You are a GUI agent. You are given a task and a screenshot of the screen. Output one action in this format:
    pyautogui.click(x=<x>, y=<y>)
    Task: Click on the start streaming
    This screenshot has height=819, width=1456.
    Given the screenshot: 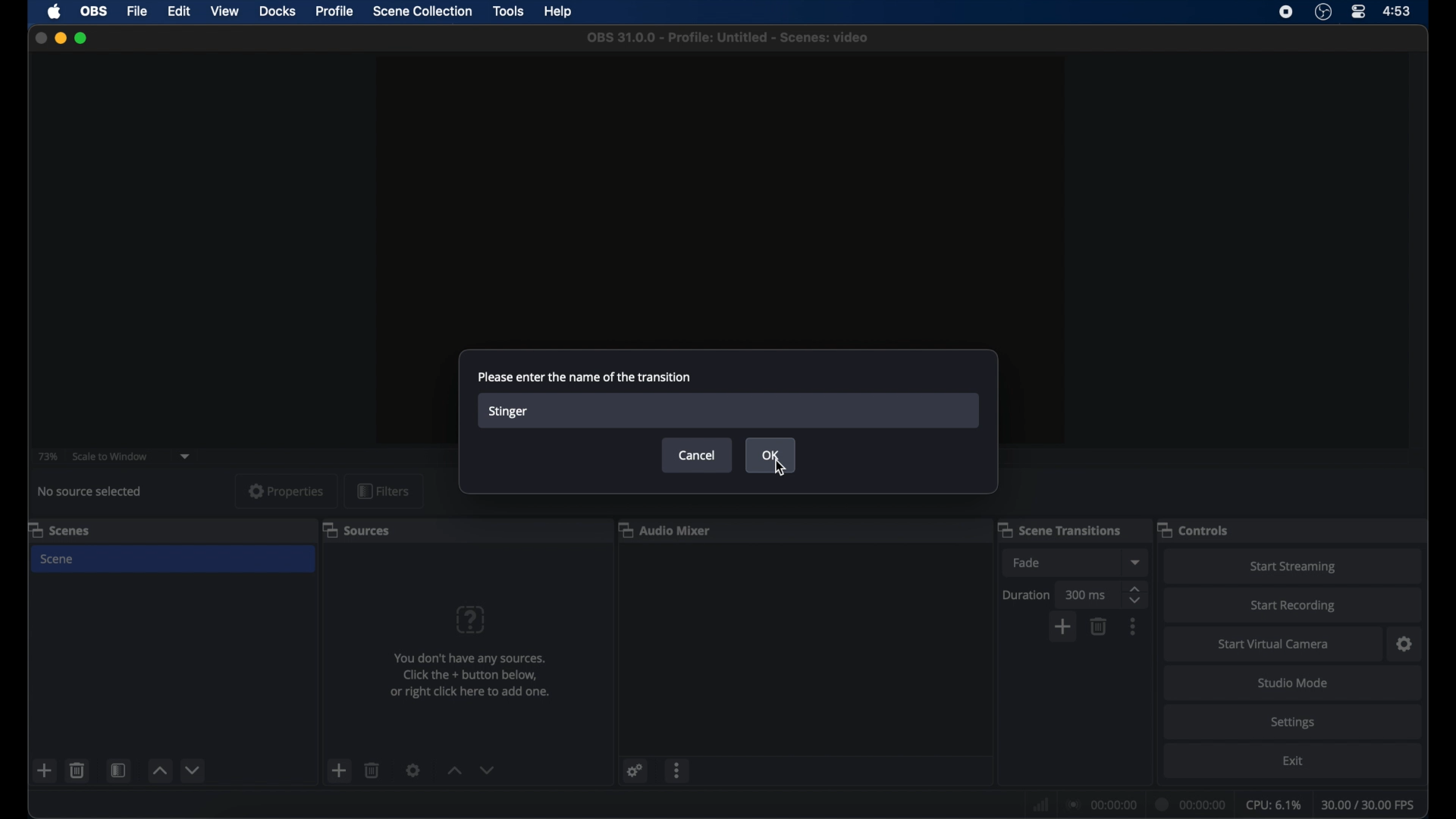 What is the action you would take?
    pyautogui.click(x=1296, y=567)
    